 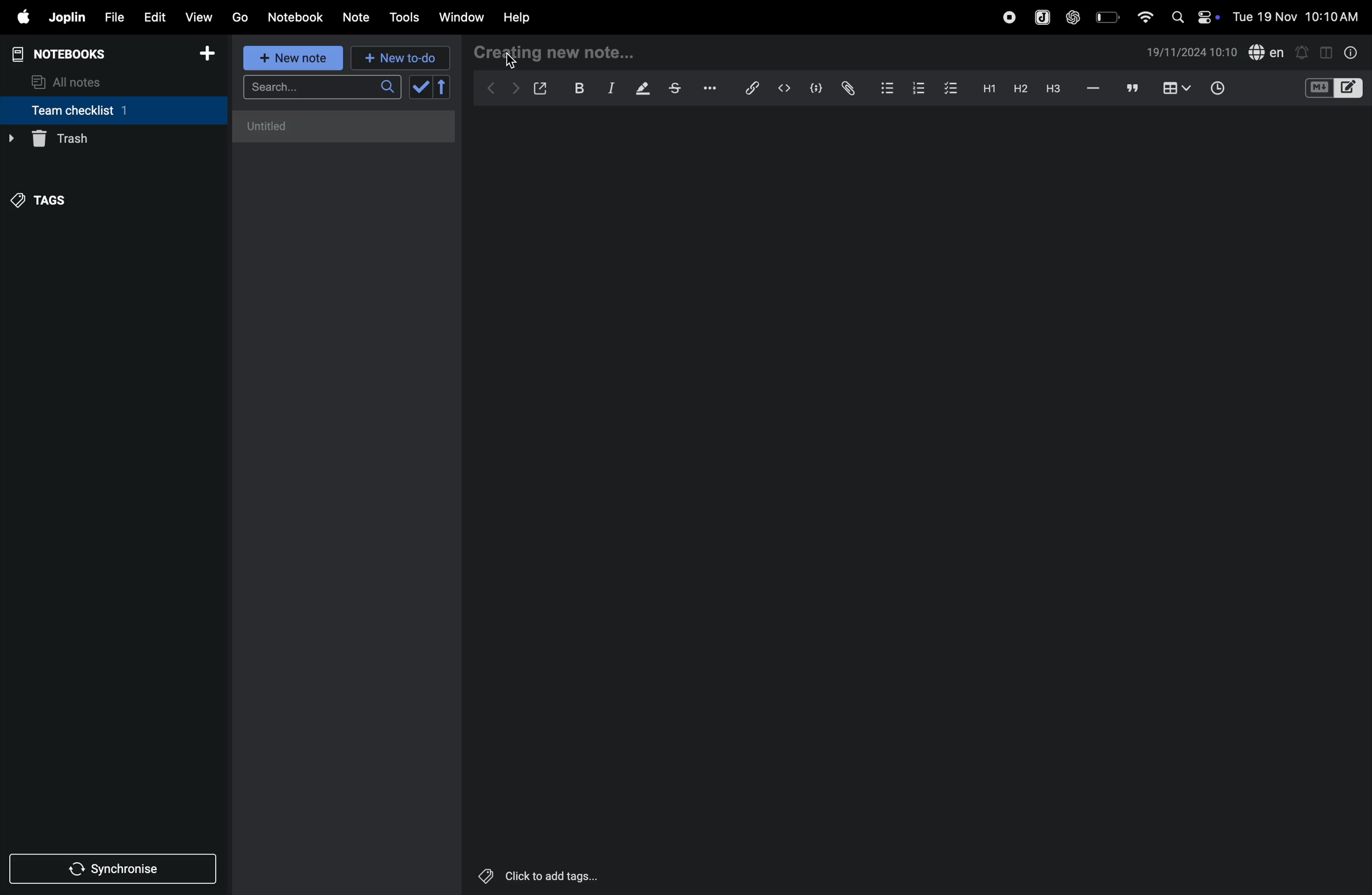 What do you see at coordinates (1177, 17) in the screenshot?
I see `search` at bounding box center [1177, 17].